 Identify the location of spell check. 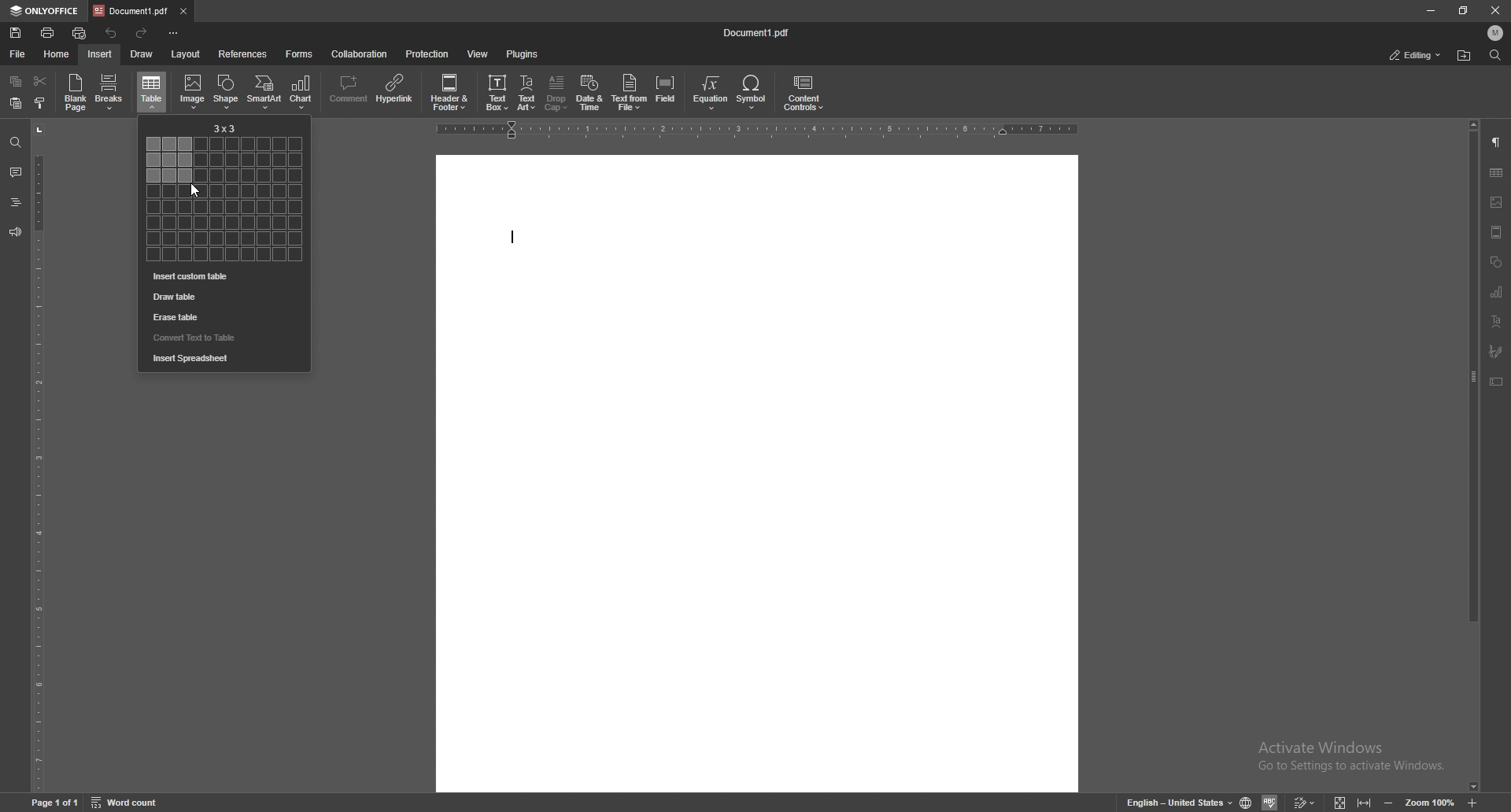
(1271, 801).